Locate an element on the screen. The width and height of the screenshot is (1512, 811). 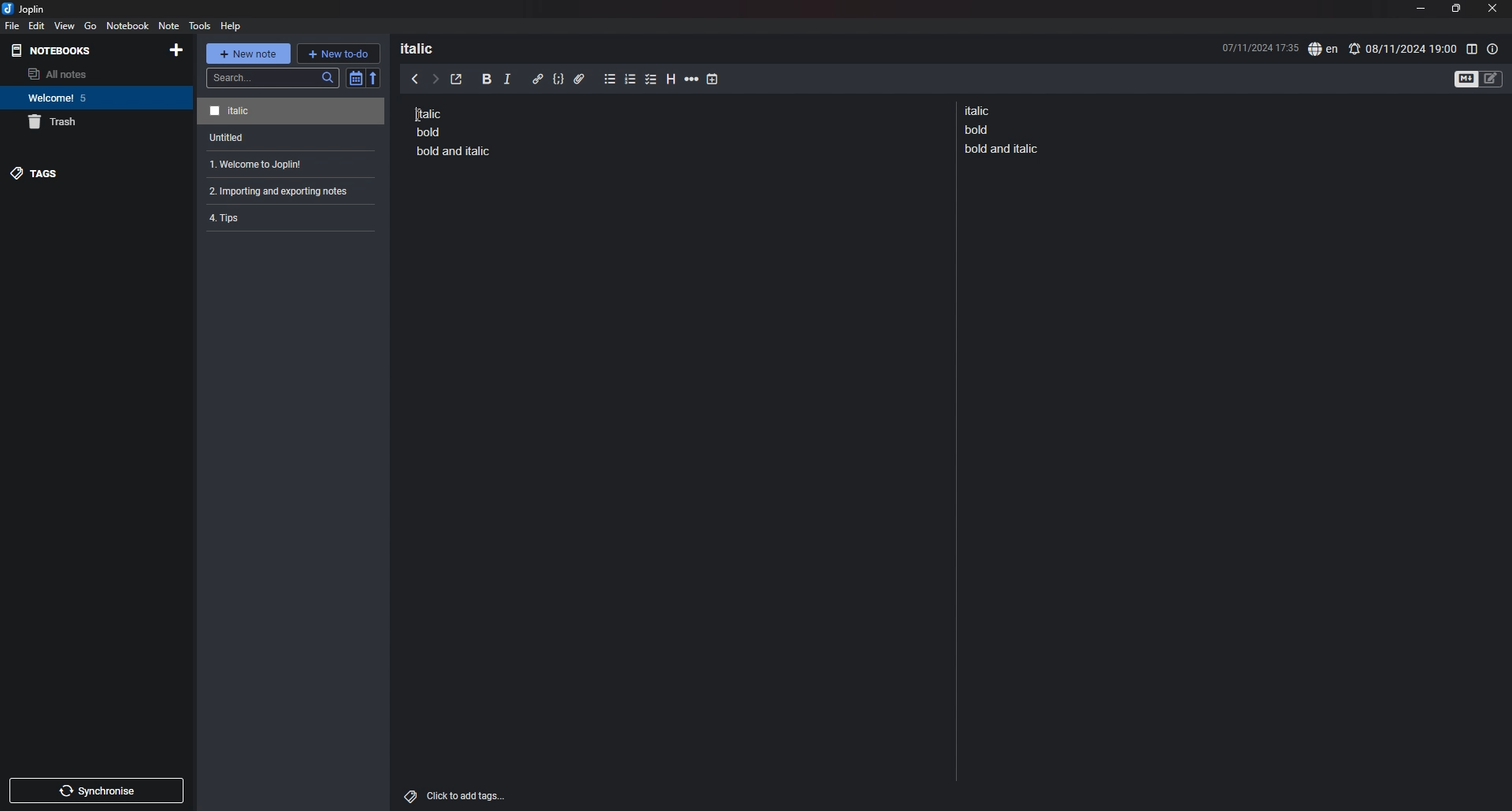
hyperlink is located at coordinates (538, 79).